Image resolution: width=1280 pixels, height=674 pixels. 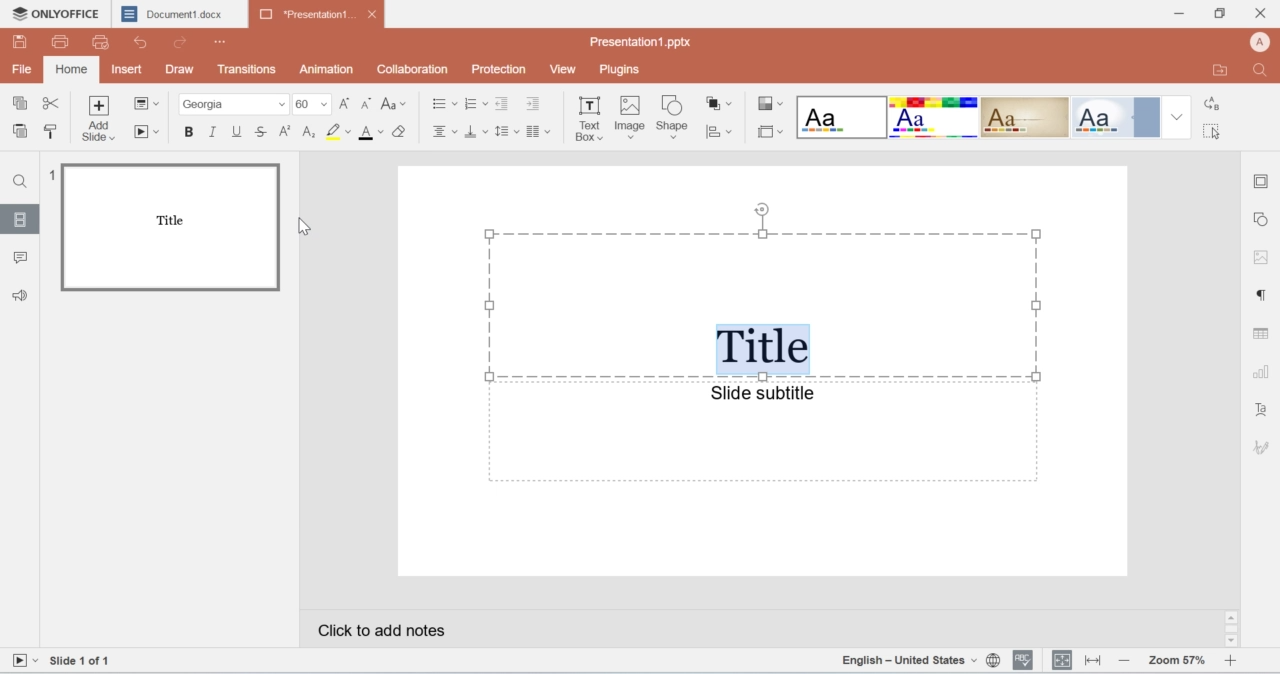 I want to click on numbering, so click(x=51, y=176).